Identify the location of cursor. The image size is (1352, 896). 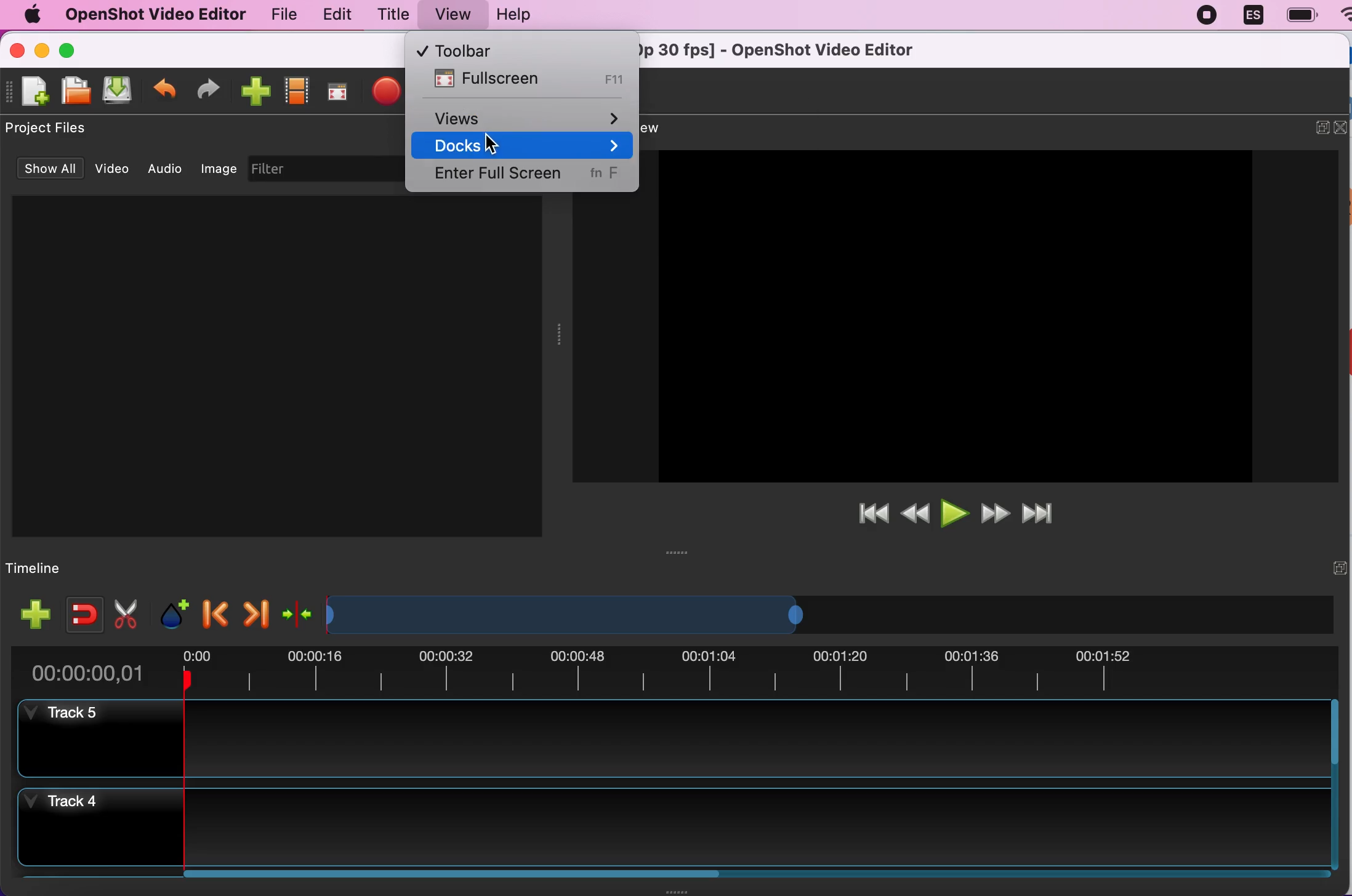
(494, 144).